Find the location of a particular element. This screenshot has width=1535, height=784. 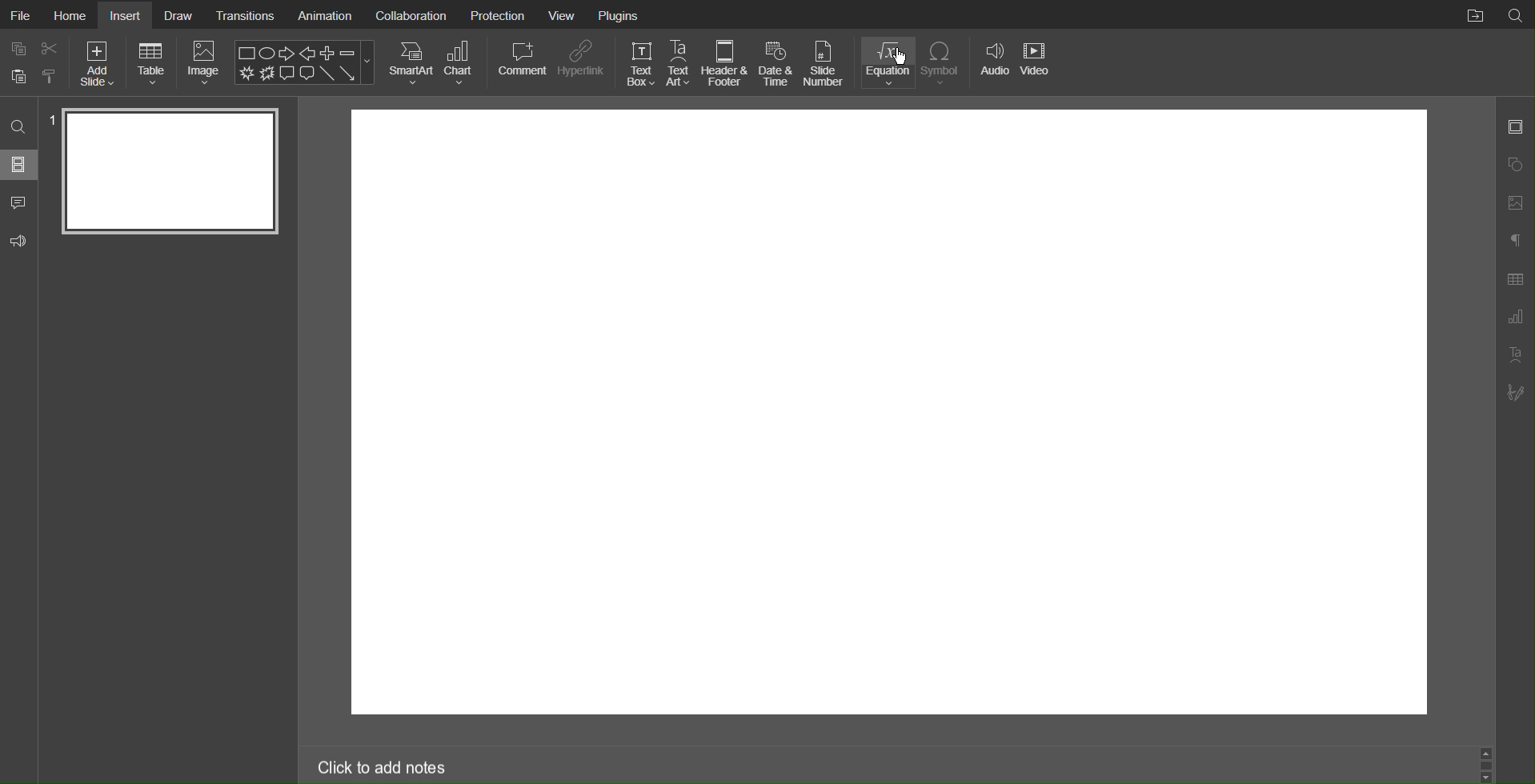

Feedback and Support is located at coordinates (21, 242).